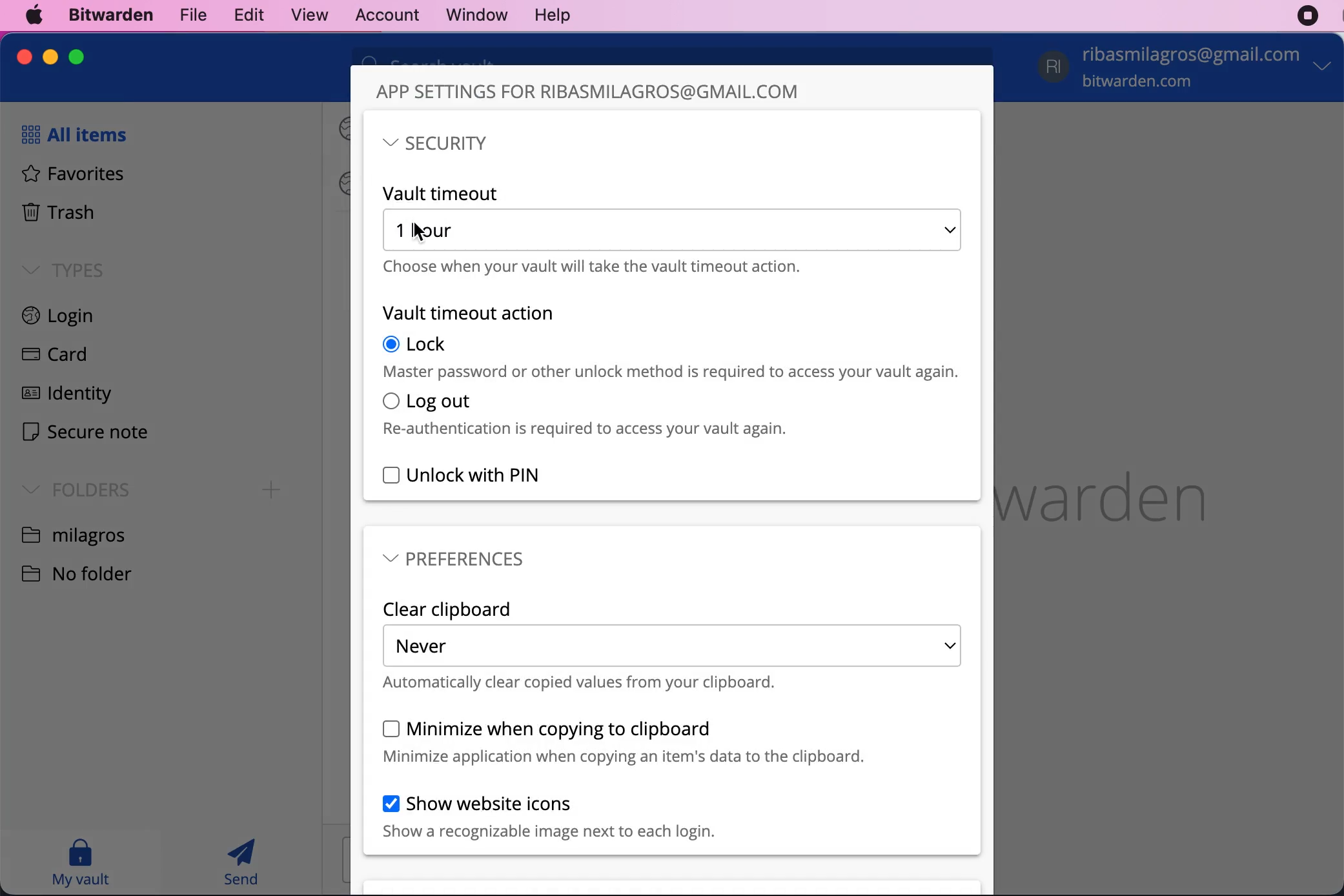  Describe the element at coordinates (382, 14) in the screenshot. I see `account` at that location.